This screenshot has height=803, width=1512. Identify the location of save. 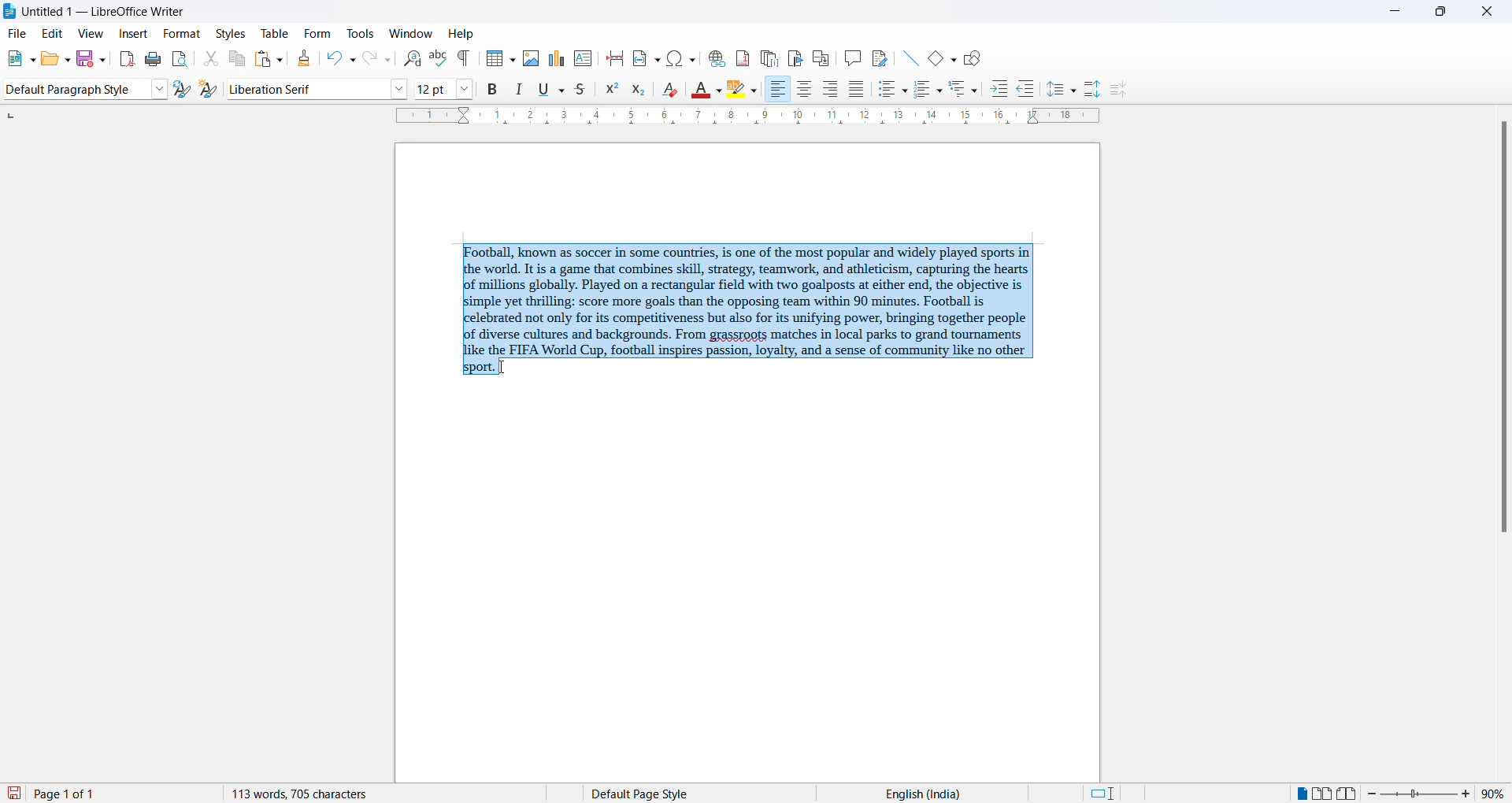
(14, 793).